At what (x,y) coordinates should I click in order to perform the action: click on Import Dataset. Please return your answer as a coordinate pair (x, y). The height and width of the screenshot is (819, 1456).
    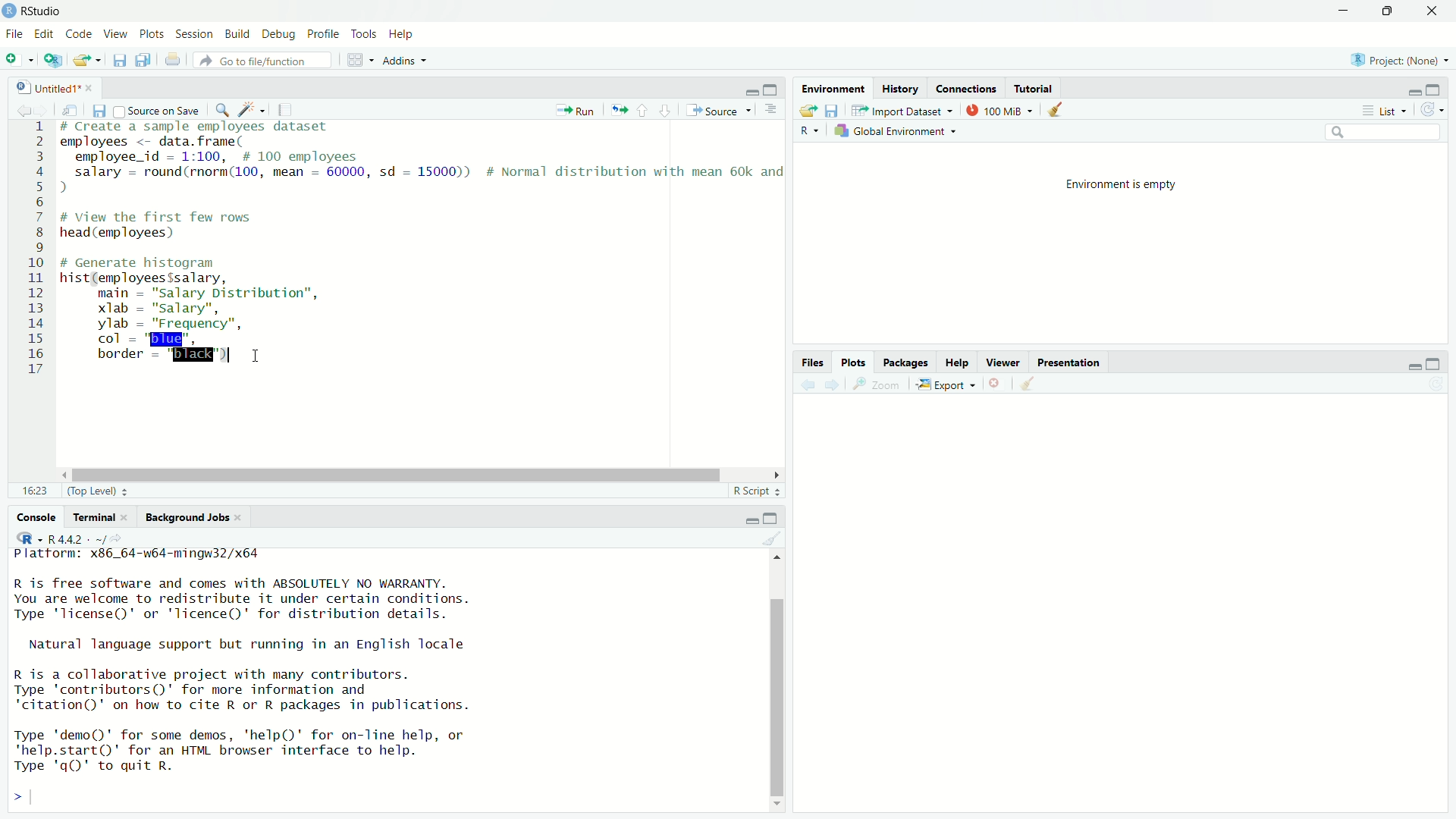
    Looking at the image, I should click on (904, 110).